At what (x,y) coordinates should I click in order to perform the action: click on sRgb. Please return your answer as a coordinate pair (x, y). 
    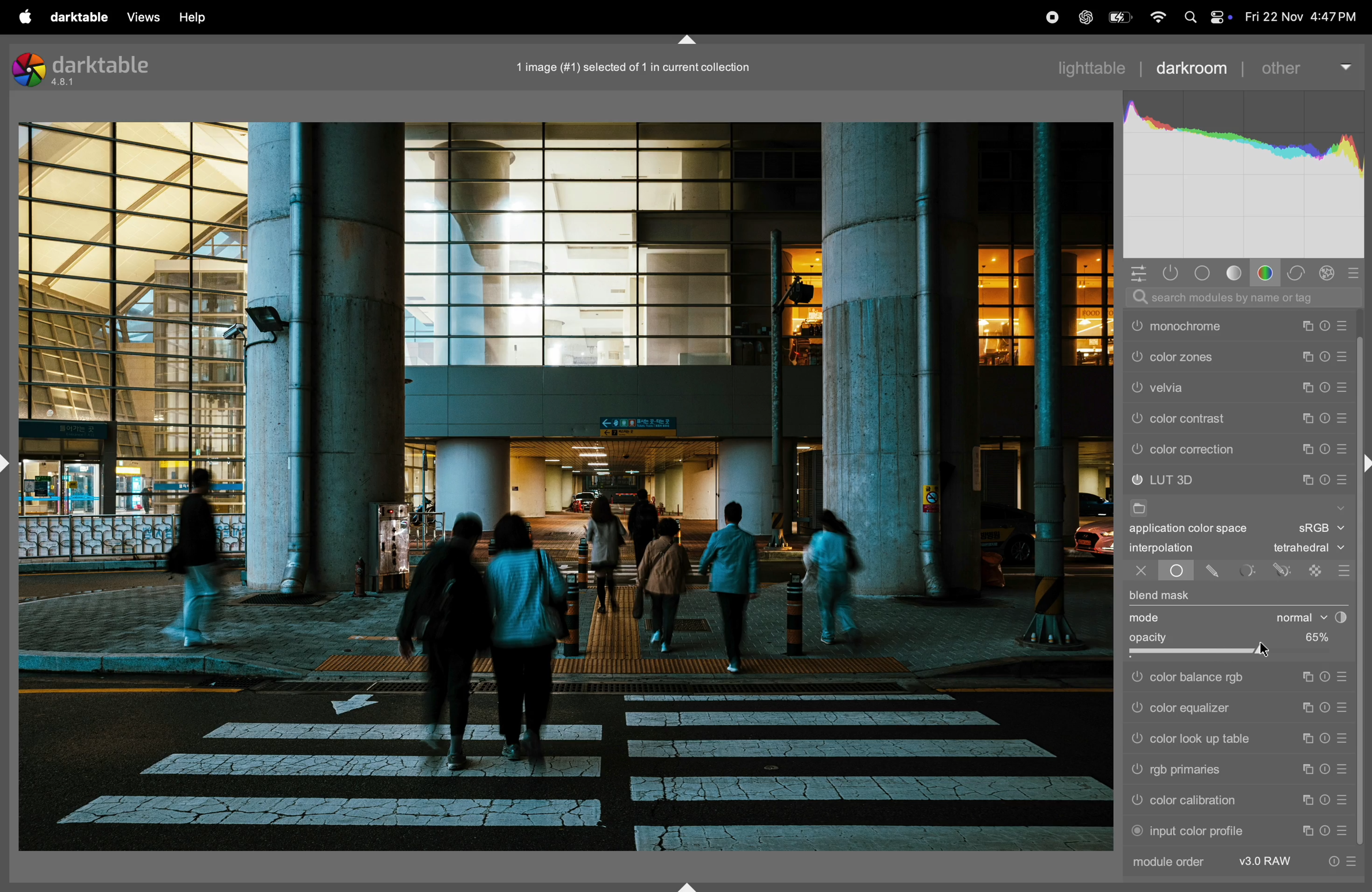
    Looking at the image, I should click on (1322, 528).